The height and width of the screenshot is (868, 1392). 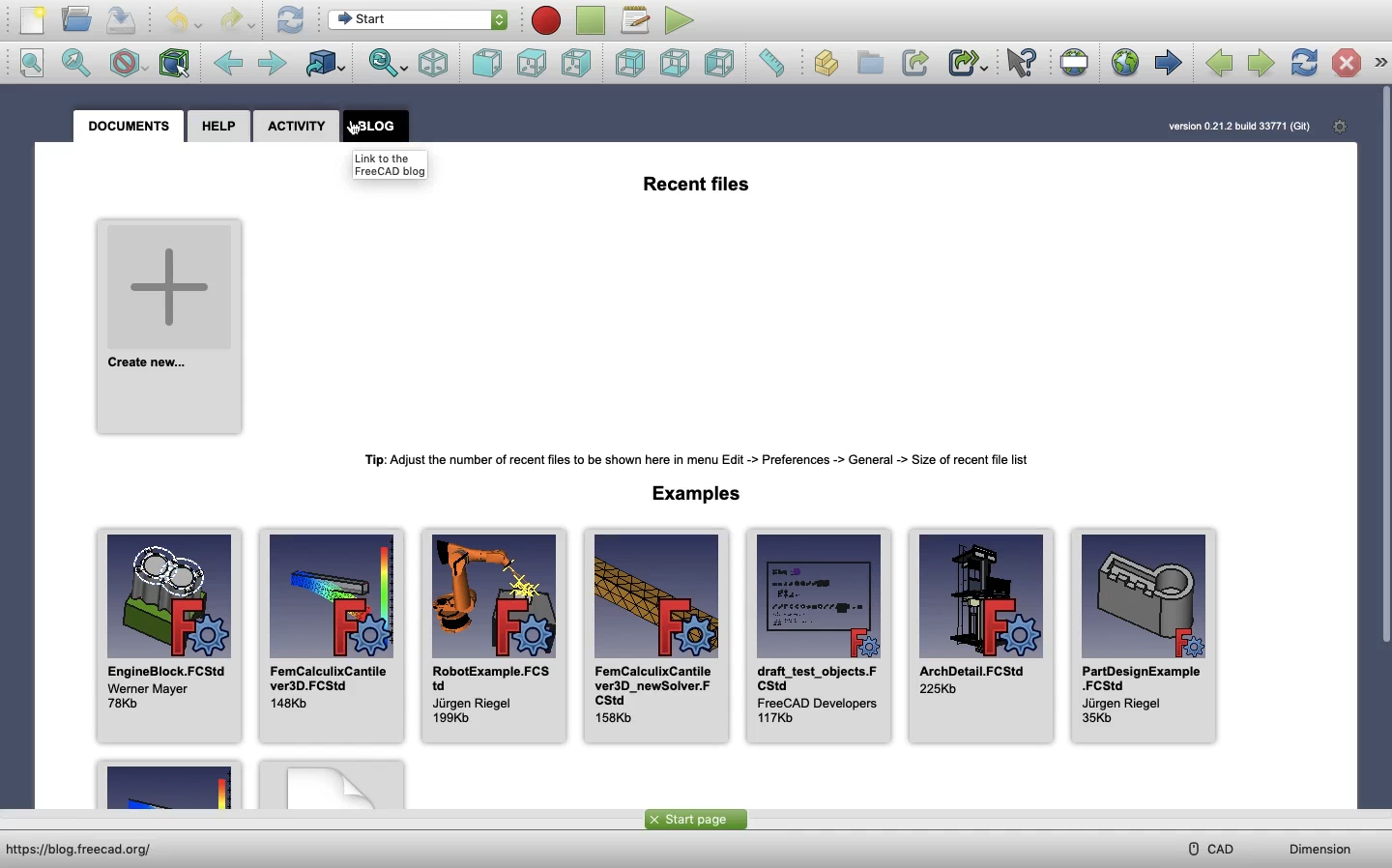 I want to click on Draft_text_object, so click(x=820, y=634).